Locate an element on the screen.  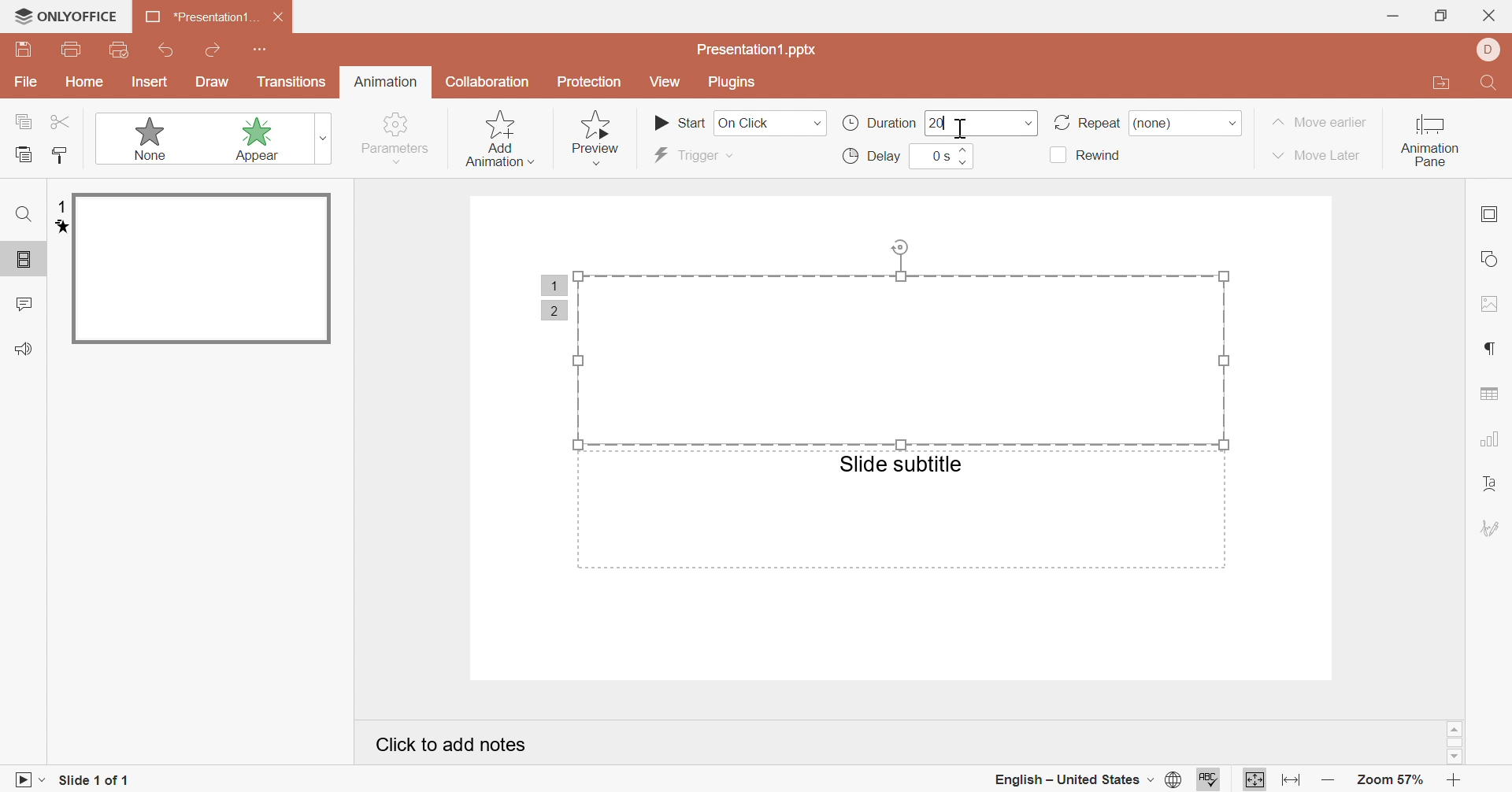
more animations is located at coordinates (326, 137).